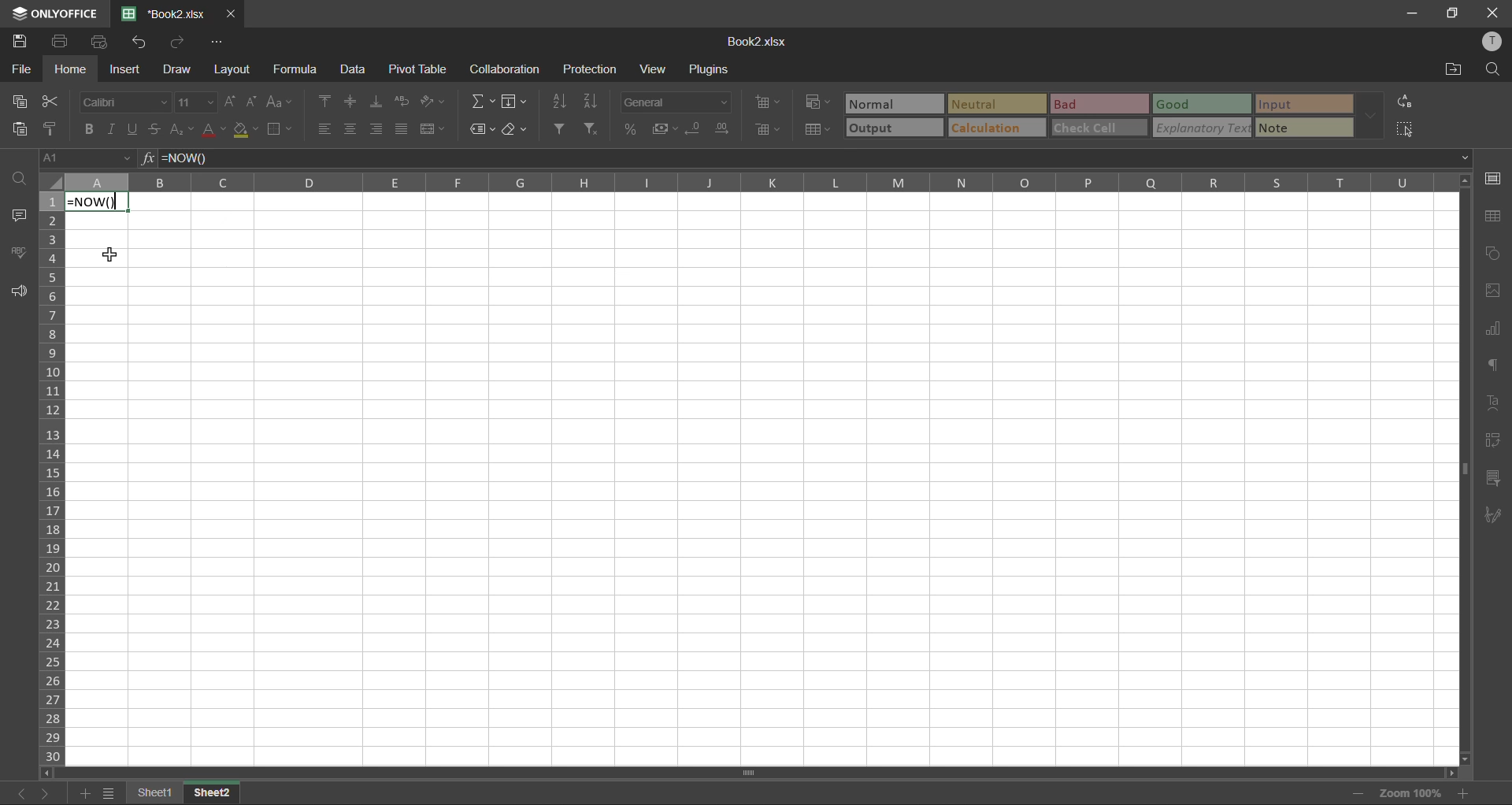  Describe the element at coordinates (1490, 517) in the screenshot. I see `signature` at that location.